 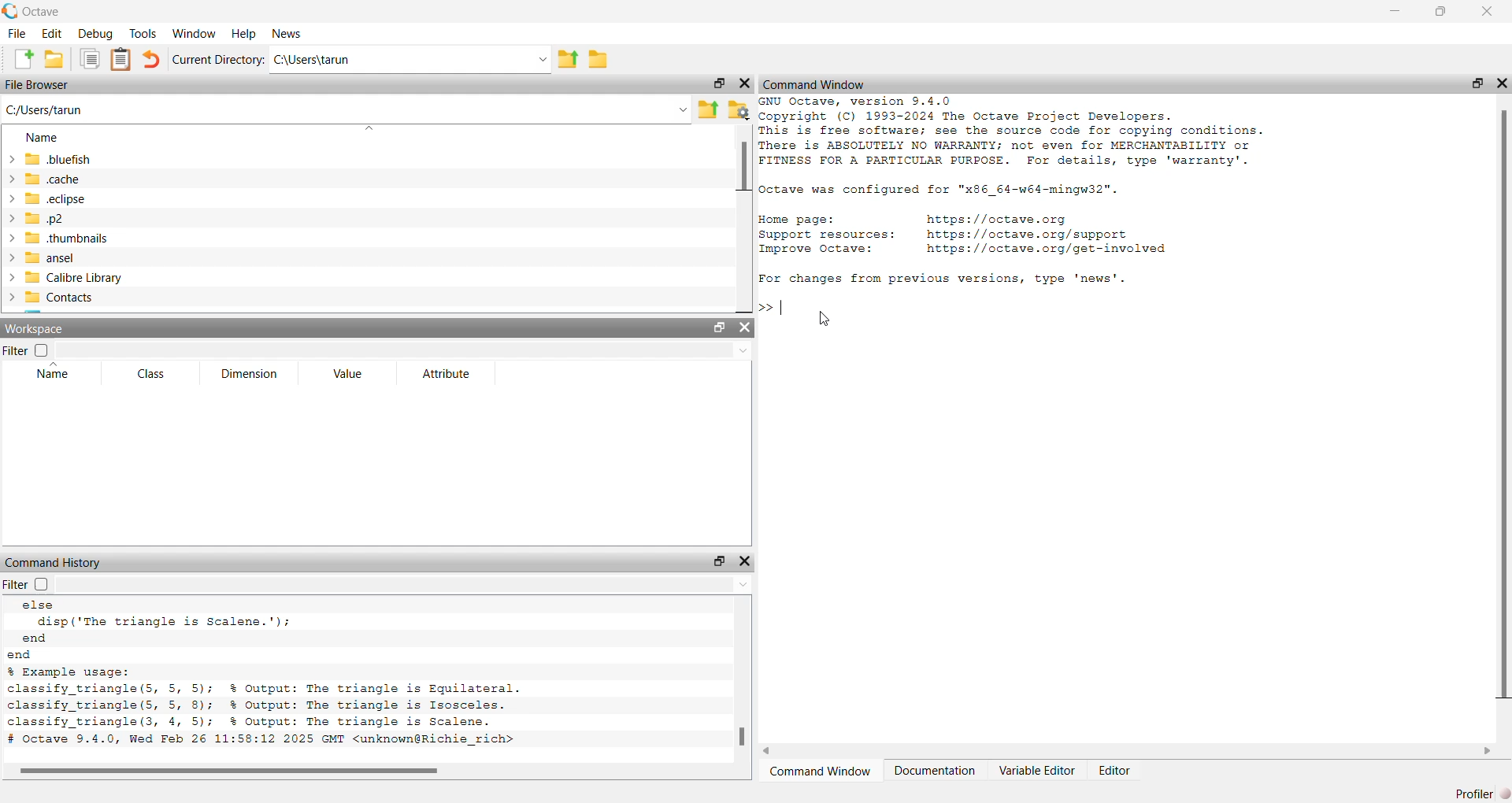 What do you see at coordinates (739, 109) in the screenshot?
I see `browse your files` at bounding box center [739, 109].